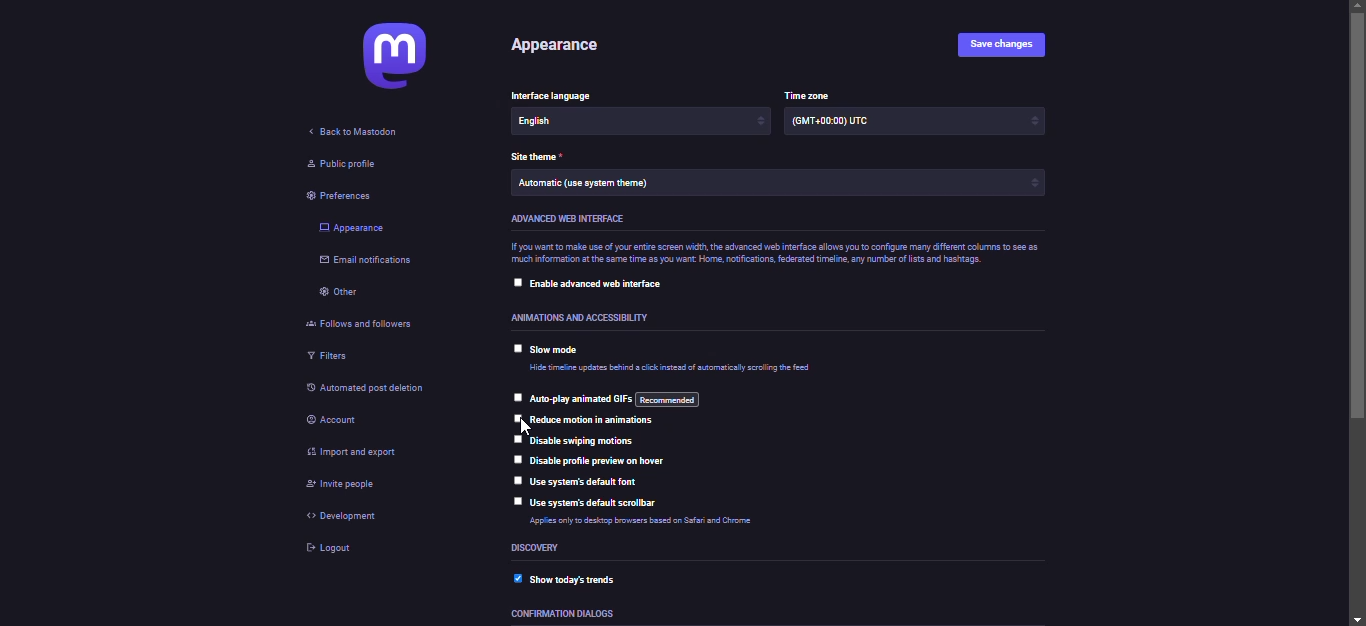 This screenshot has width=1366, height=626. Describe the element at coordinates (596, 282) in the screenshot. I see `enable advanced web interface` at that location.